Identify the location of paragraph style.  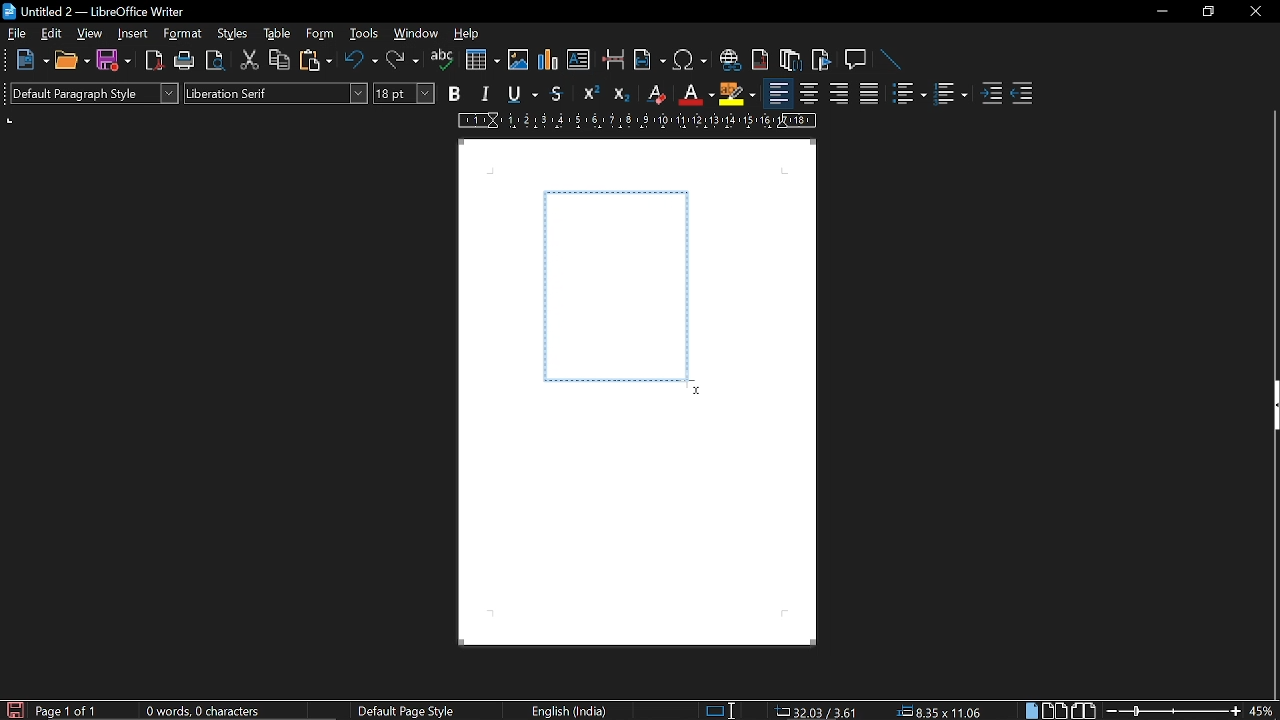
(94, 92).